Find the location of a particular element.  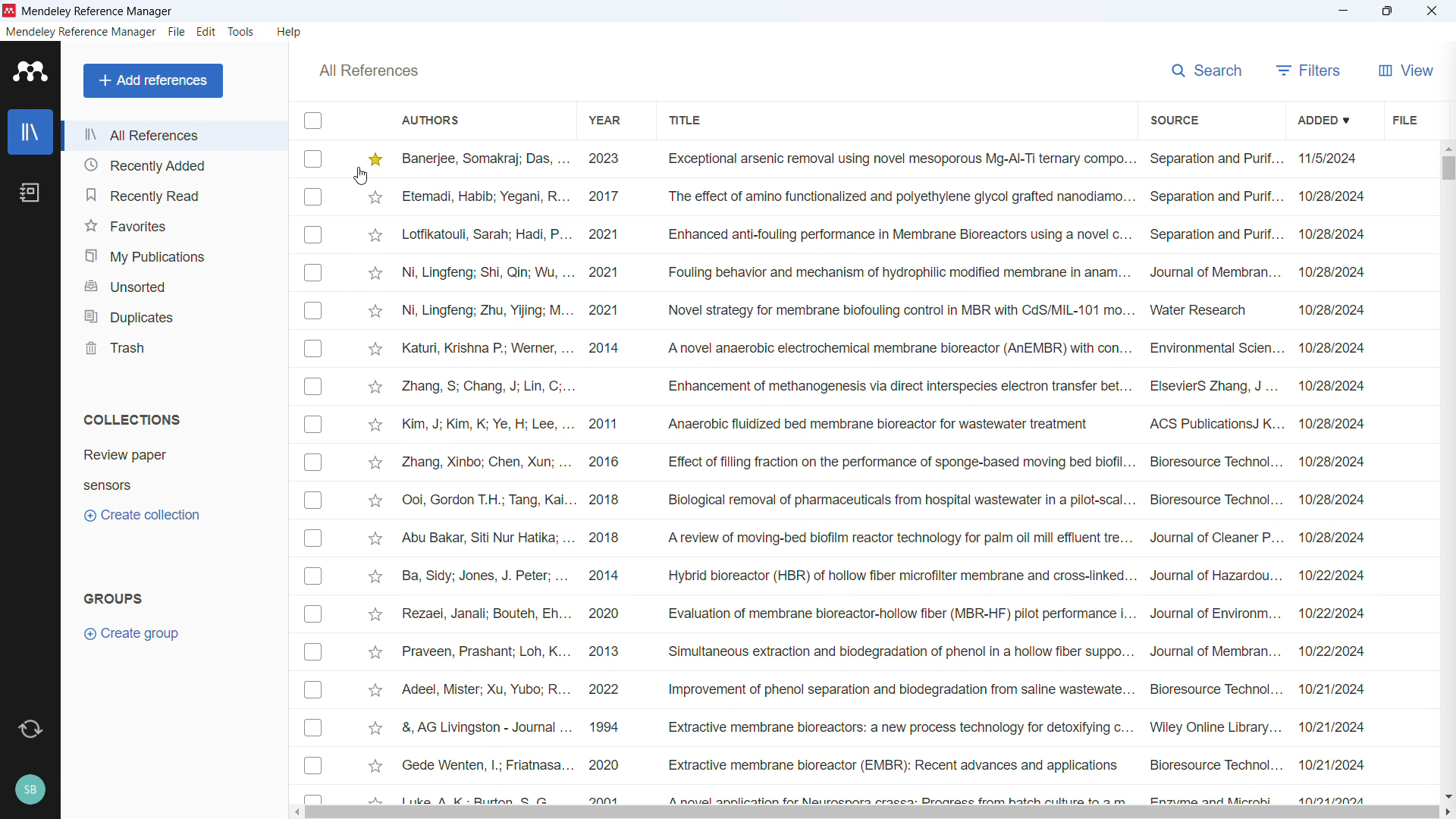

View  is located at coordinates (1405, 70).